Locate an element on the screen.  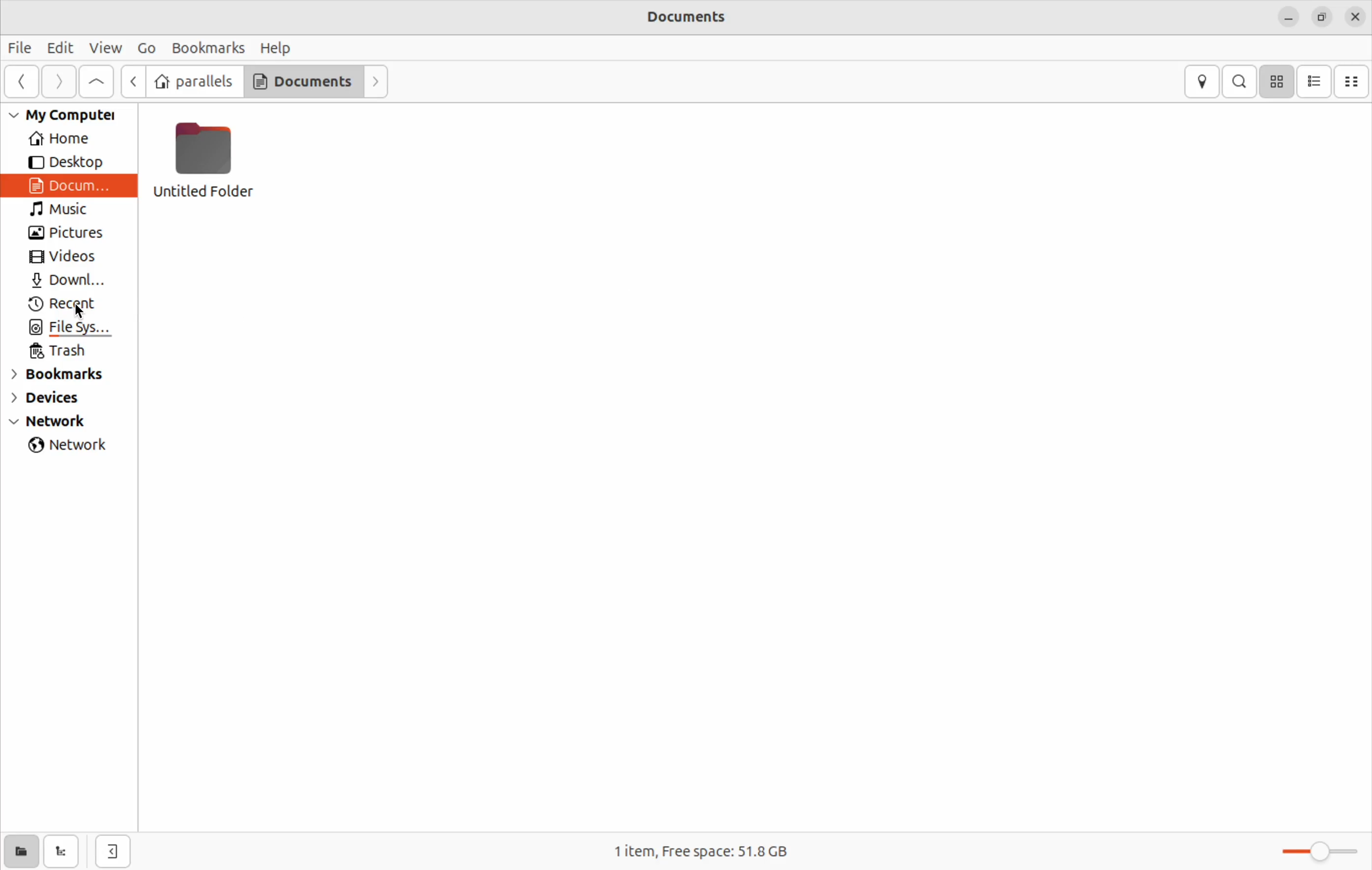
trash is located at coordinates (68, 350).